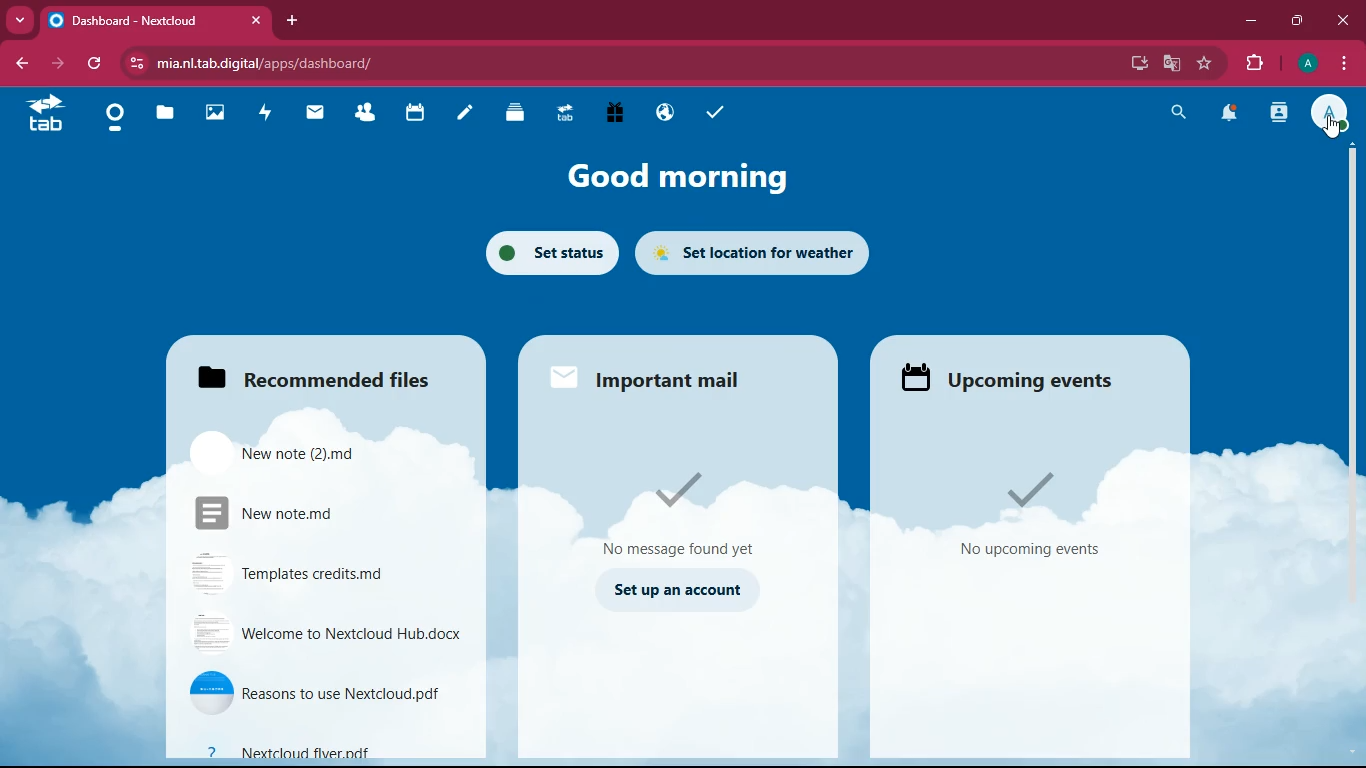 Image resolution: width=1366 pixels, height=768 pixels. What do you see at coordinates (1280, 113) in the screenshot?
I see `activity` at bounding box center [1280, 113].